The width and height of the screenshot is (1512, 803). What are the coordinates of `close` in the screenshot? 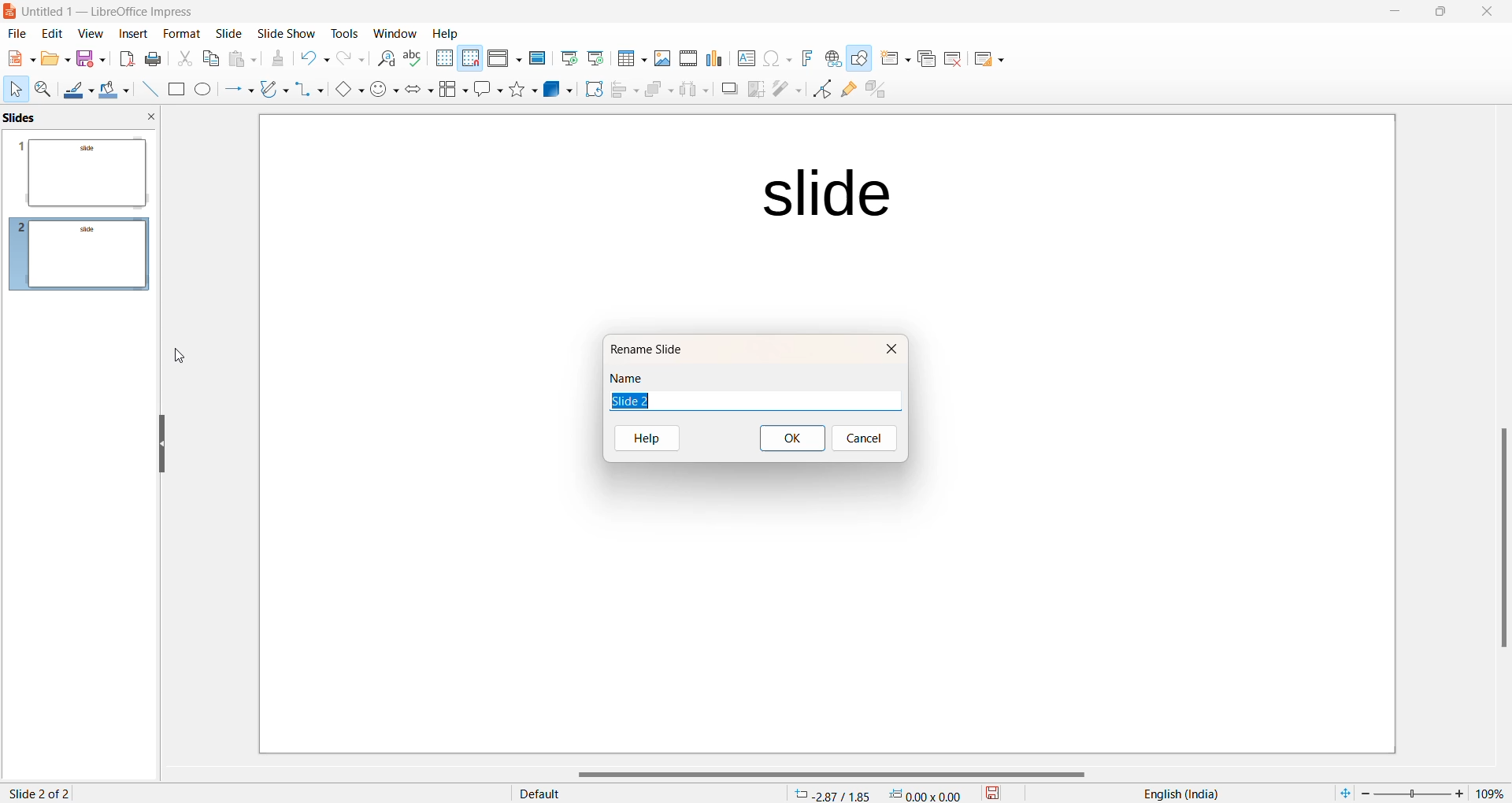 It's located at (895, 350).